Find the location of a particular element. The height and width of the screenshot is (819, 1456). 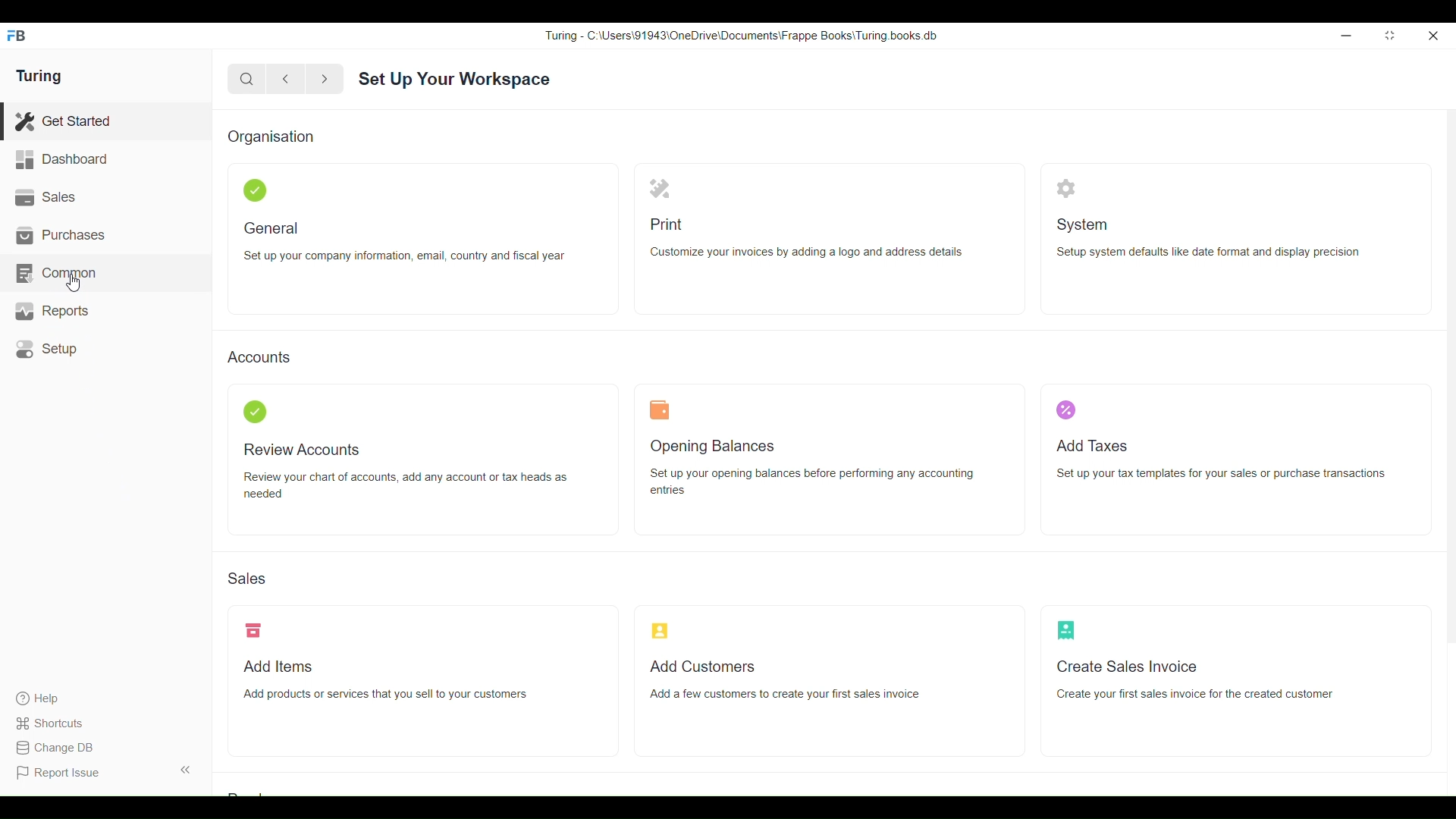

Dashboard is located at coordinates (105, 159).